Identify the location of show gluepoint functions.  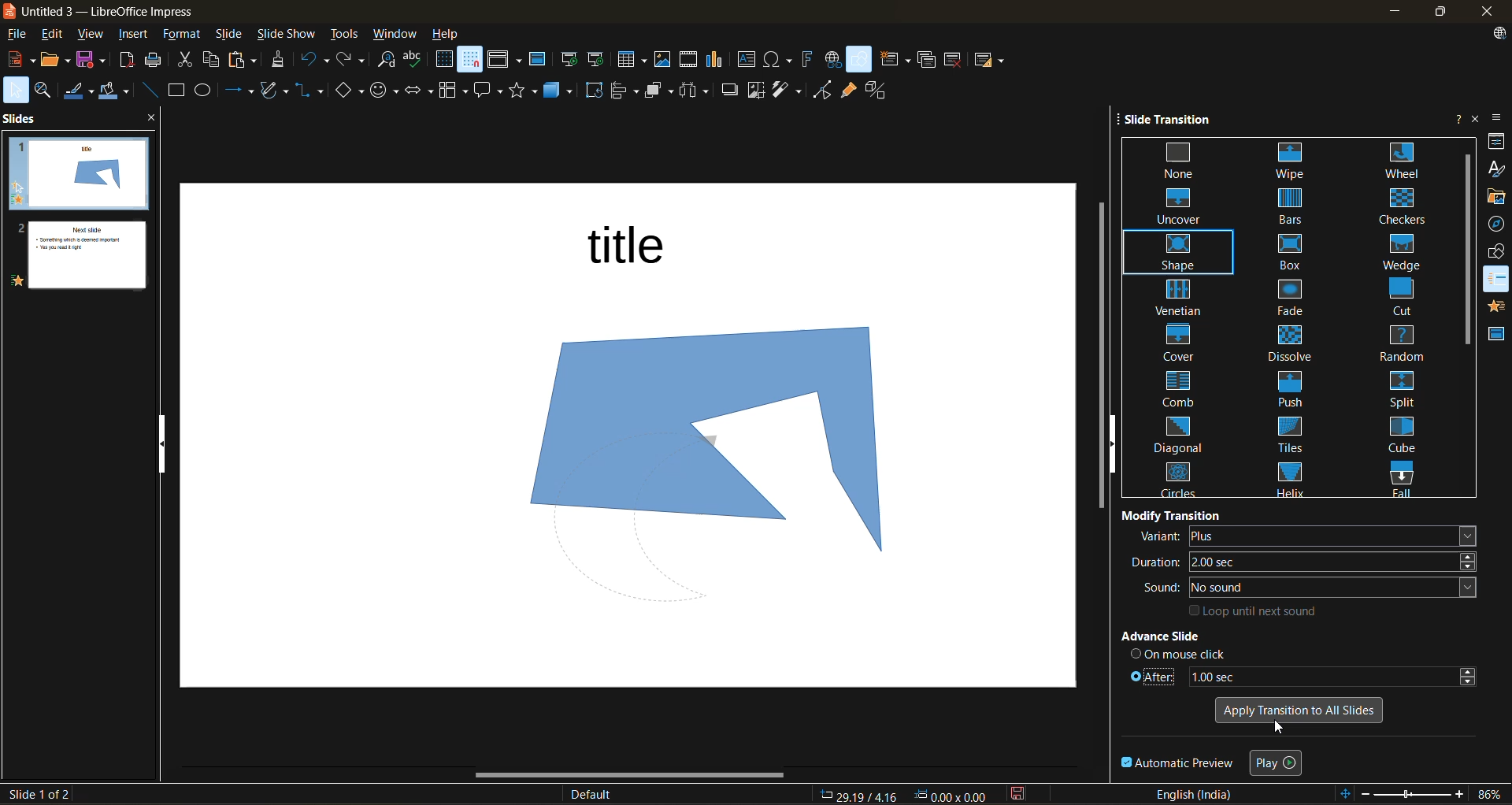
(850, 91).